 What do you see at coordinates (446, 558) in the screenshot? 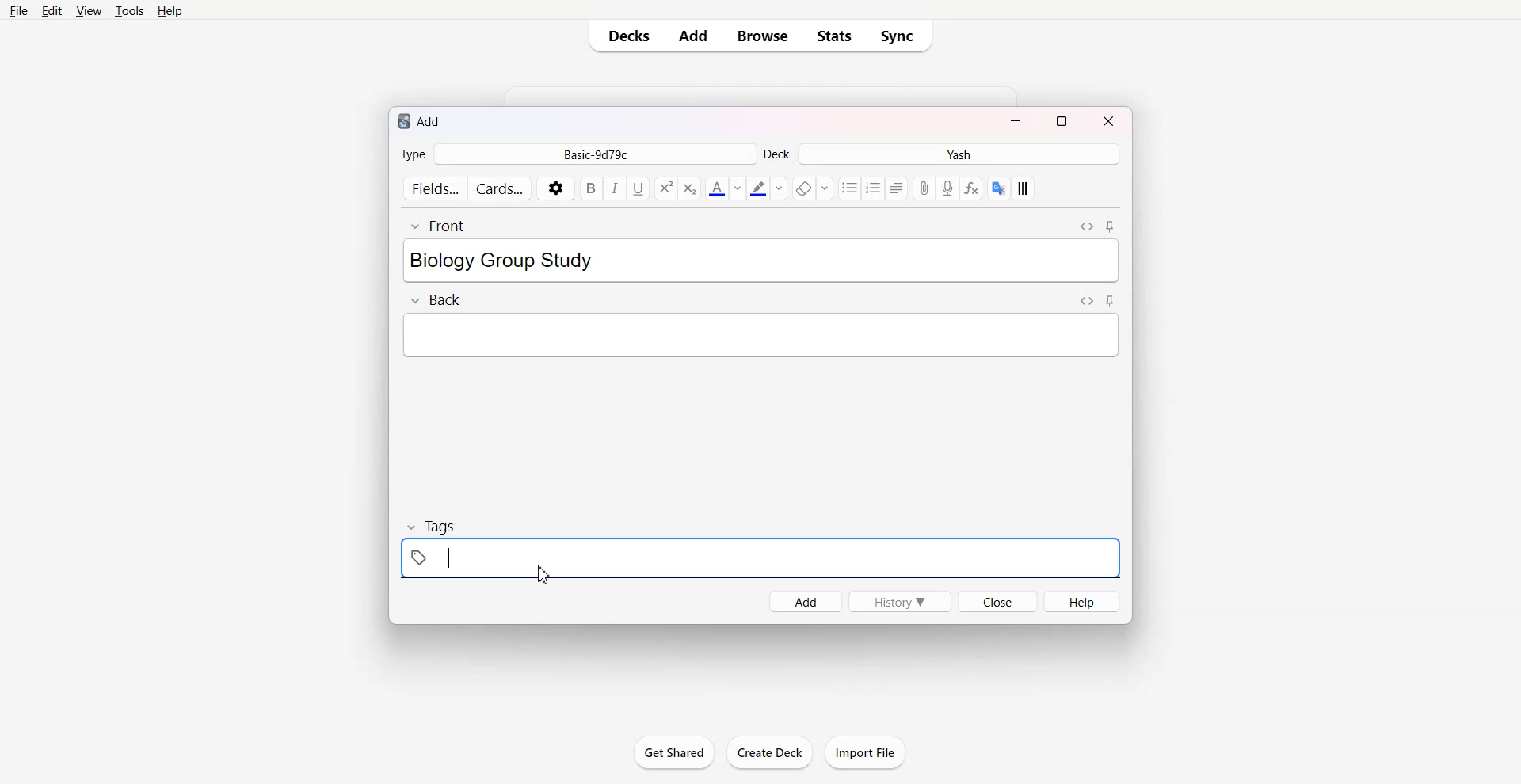
I see `text cursor` at bounding box center [446, 558].